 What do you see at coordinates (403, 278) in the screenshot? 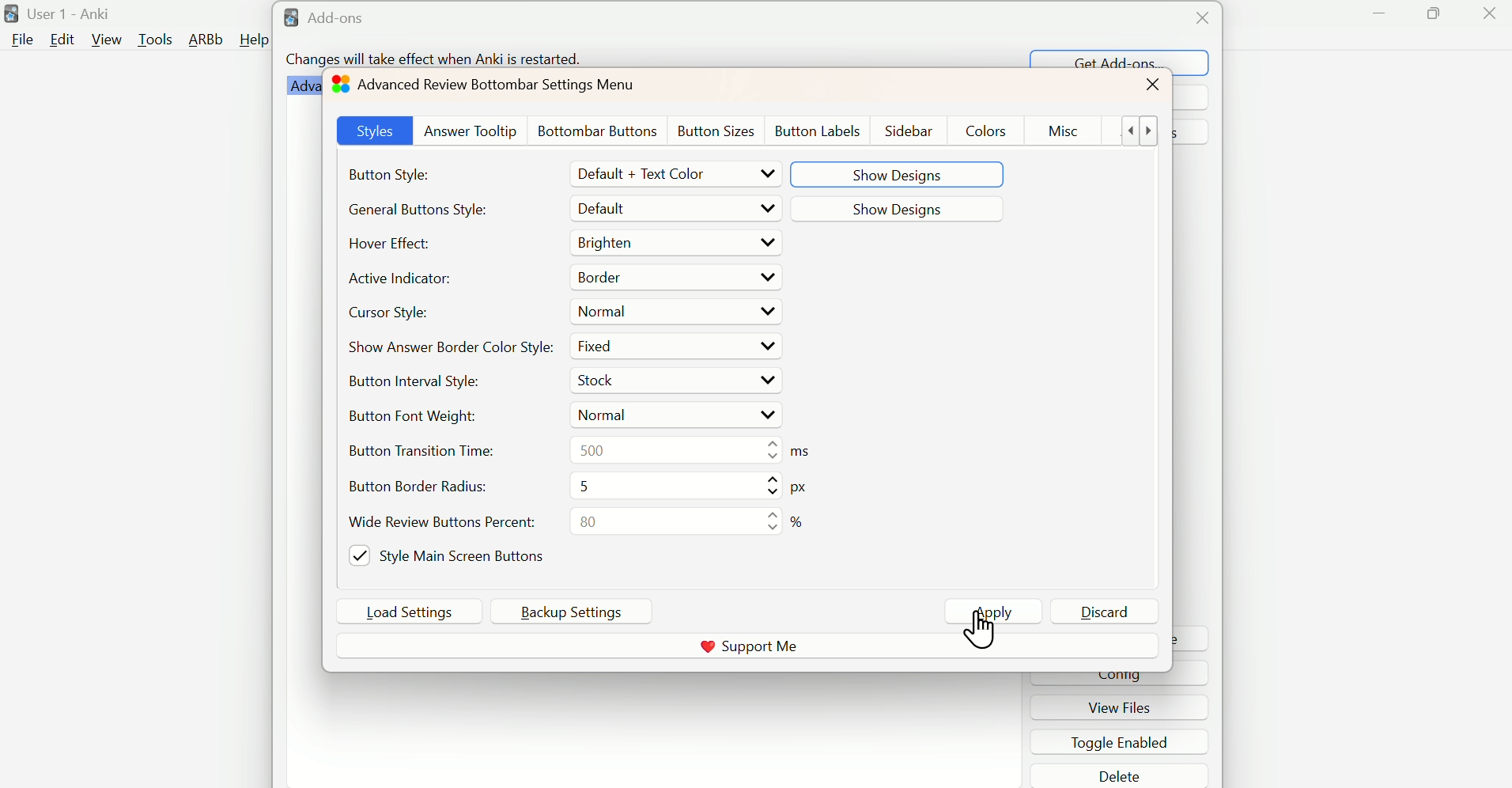
I see `Active Indicator` at bounding box center [403, 278].